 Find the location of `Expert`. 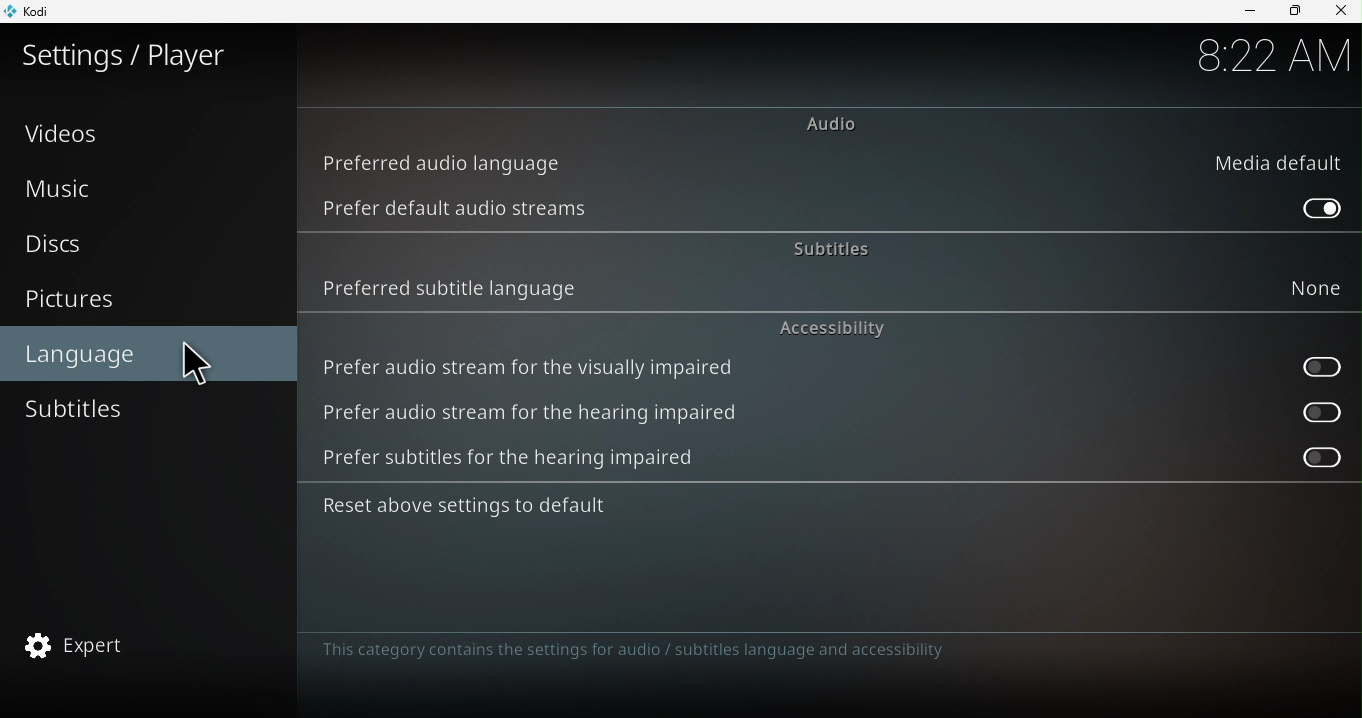

Expert is located at coordinates (136, 649).